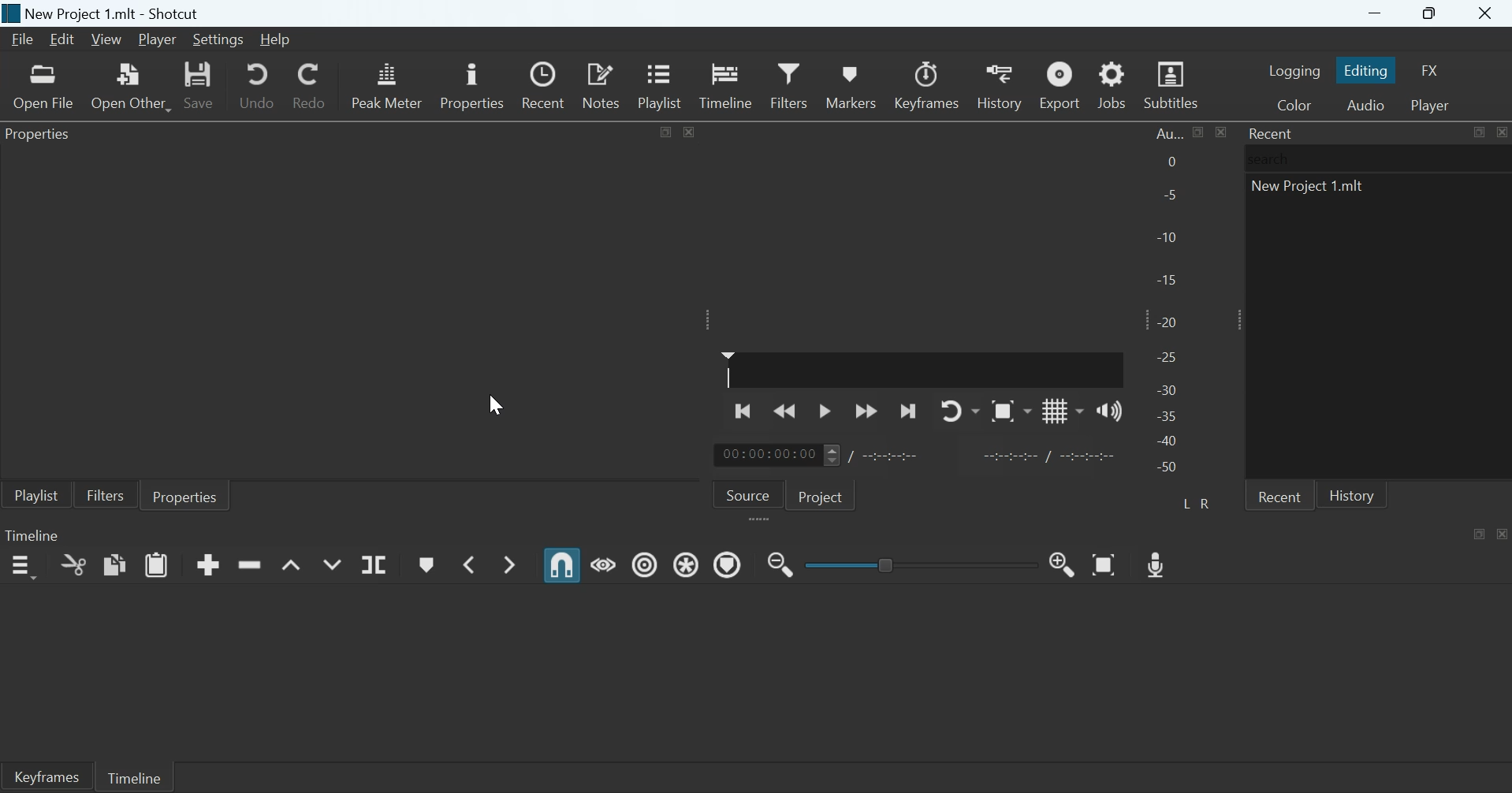 Image resolution: width=1512 pixels, height=793 pixels. What do you see at coordinates (1368, 70) in the screenshot?
I see `Switch to the Editing layout` at bounding box center [1368, 70].